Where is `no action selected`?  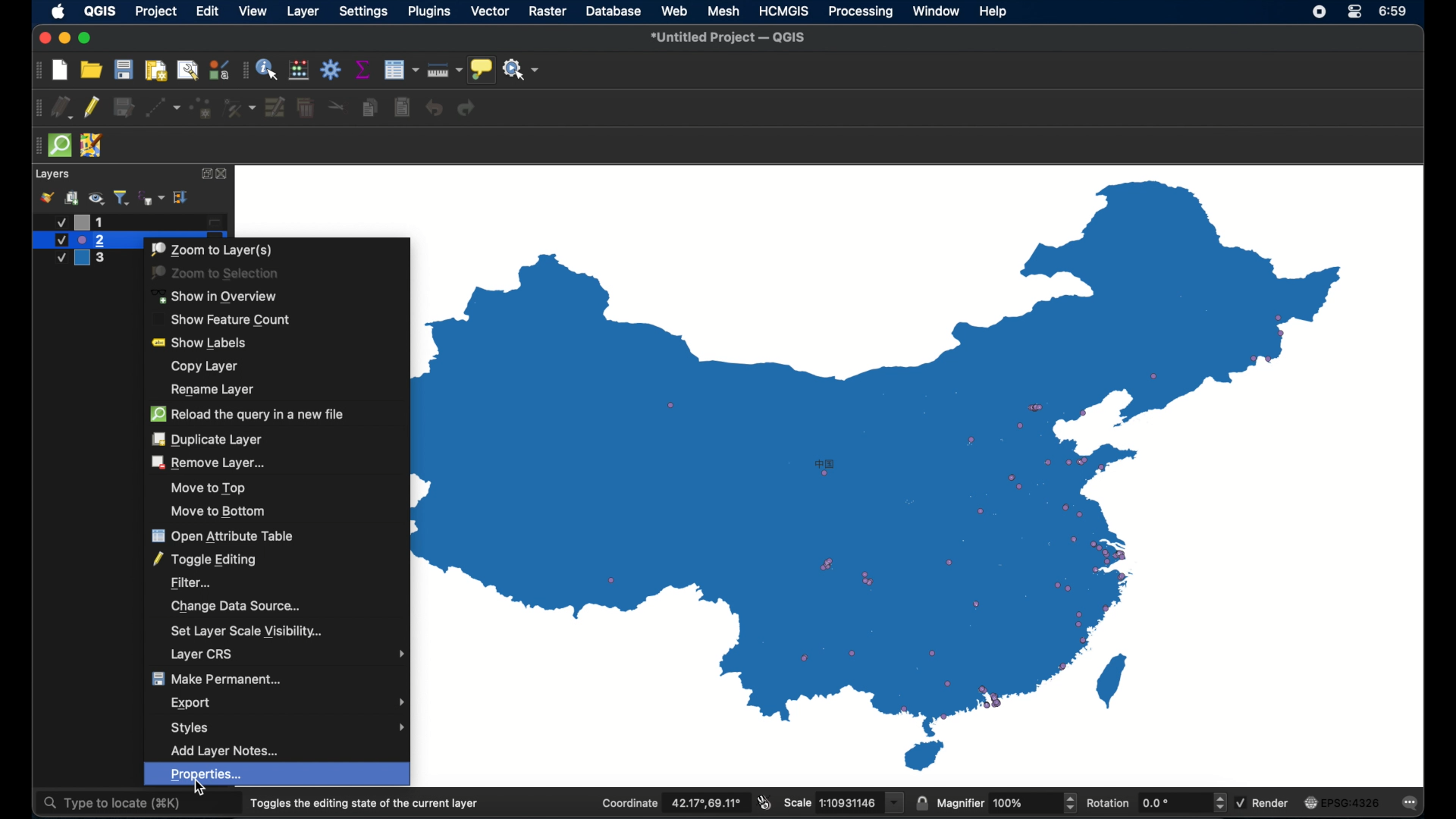 no action selected is located at coordinates (519, 67).